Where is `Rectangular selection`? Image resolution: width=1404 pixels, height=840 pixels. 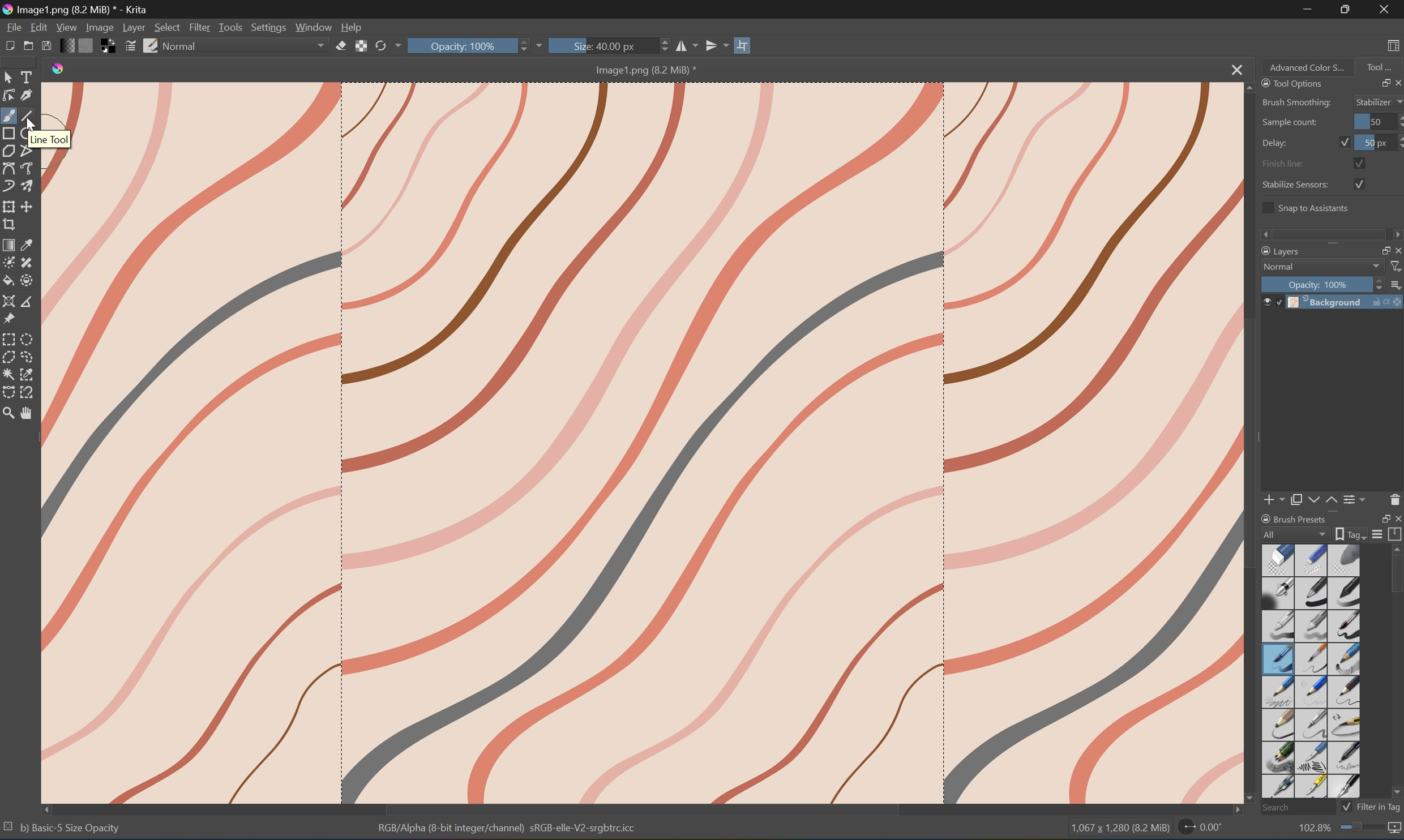 Rectangular selection is located at coordinates (9, 339).